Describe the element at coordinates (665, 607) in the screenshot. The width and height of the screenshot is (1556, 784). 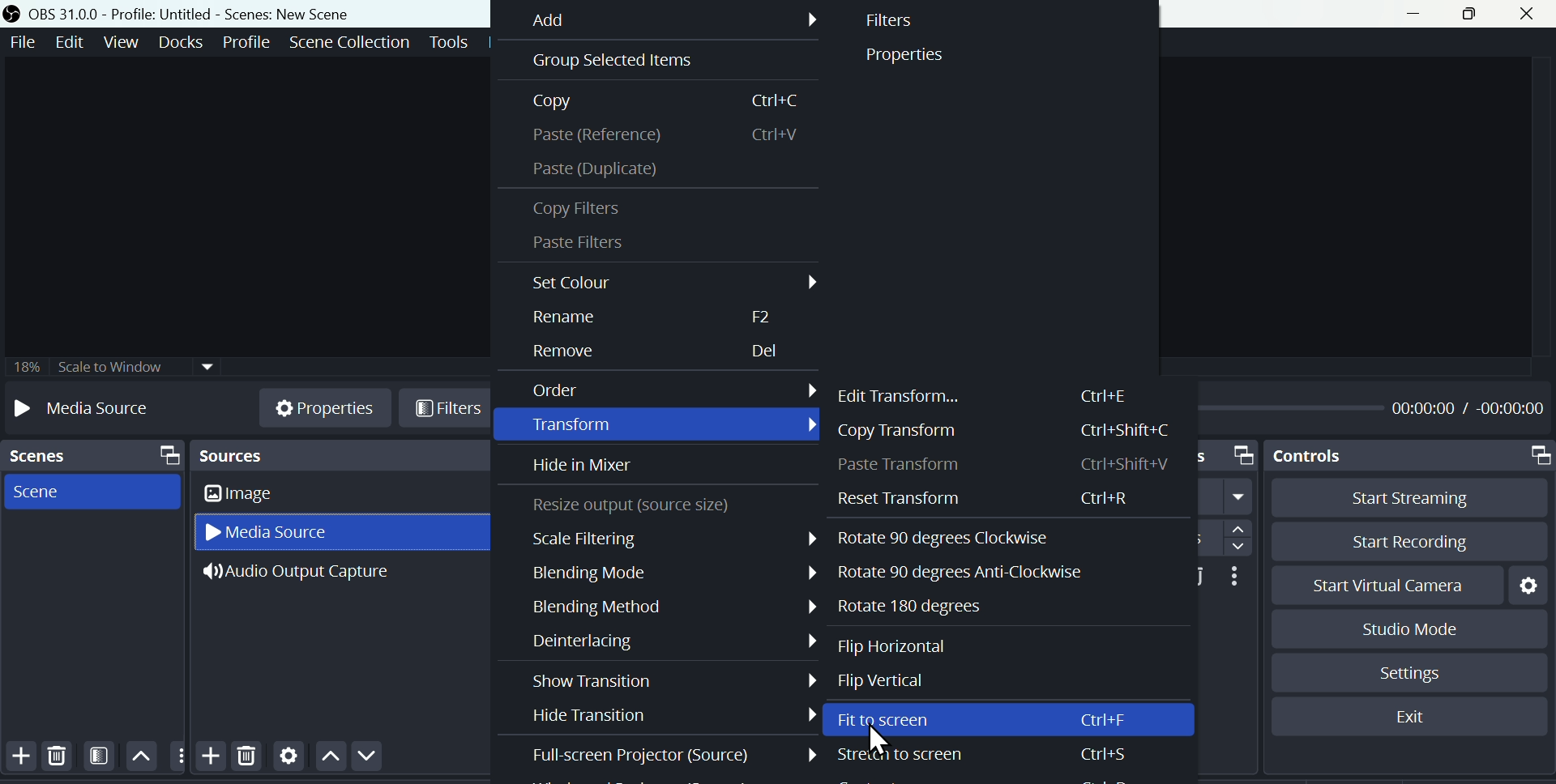
I see `Blending method` at that location.